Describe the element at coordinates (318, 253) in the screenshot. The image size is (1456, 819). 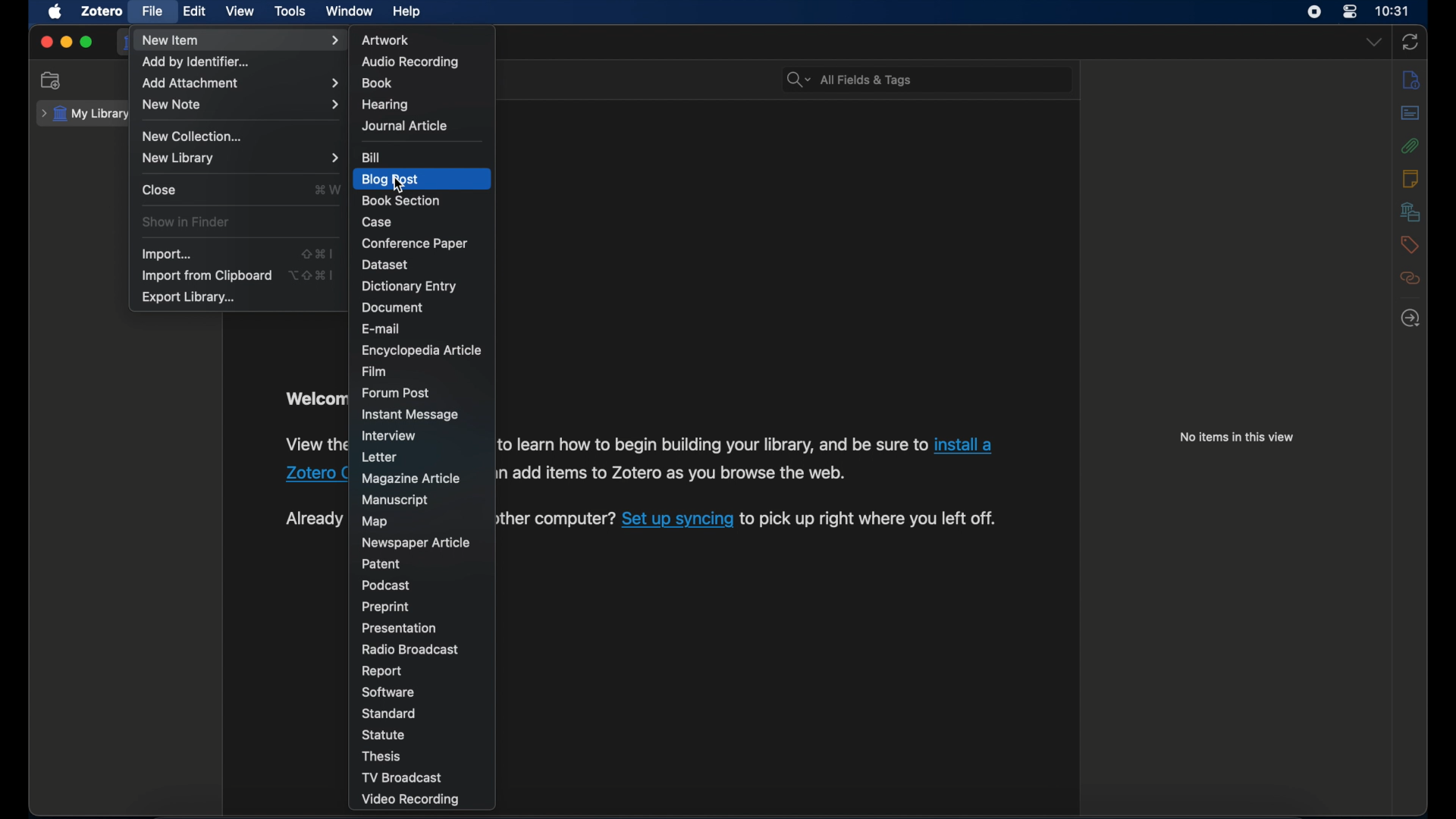
I see `import` at that location.